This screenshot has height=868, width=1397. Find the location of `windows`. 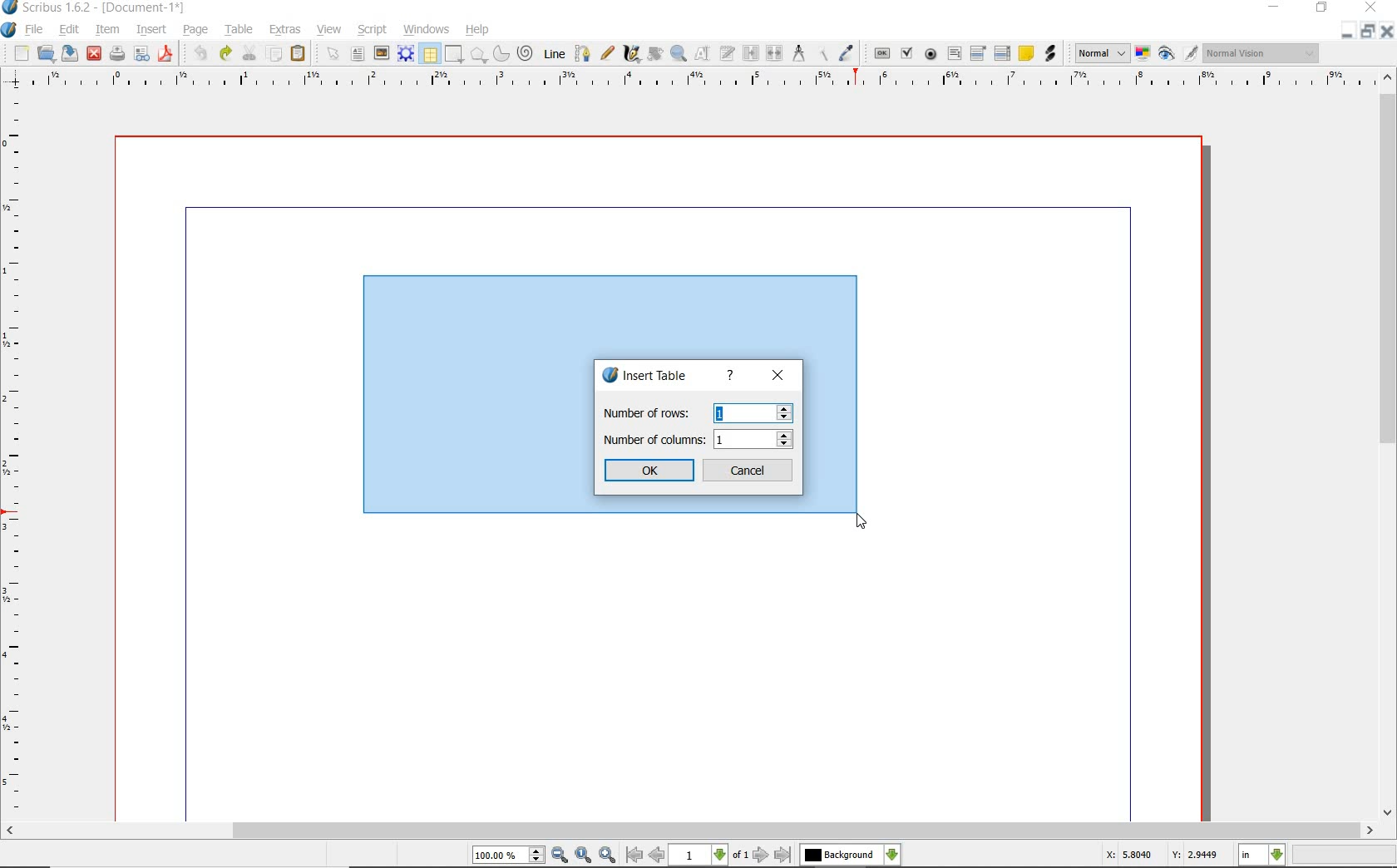

windows is located at coordinates (426, 30).